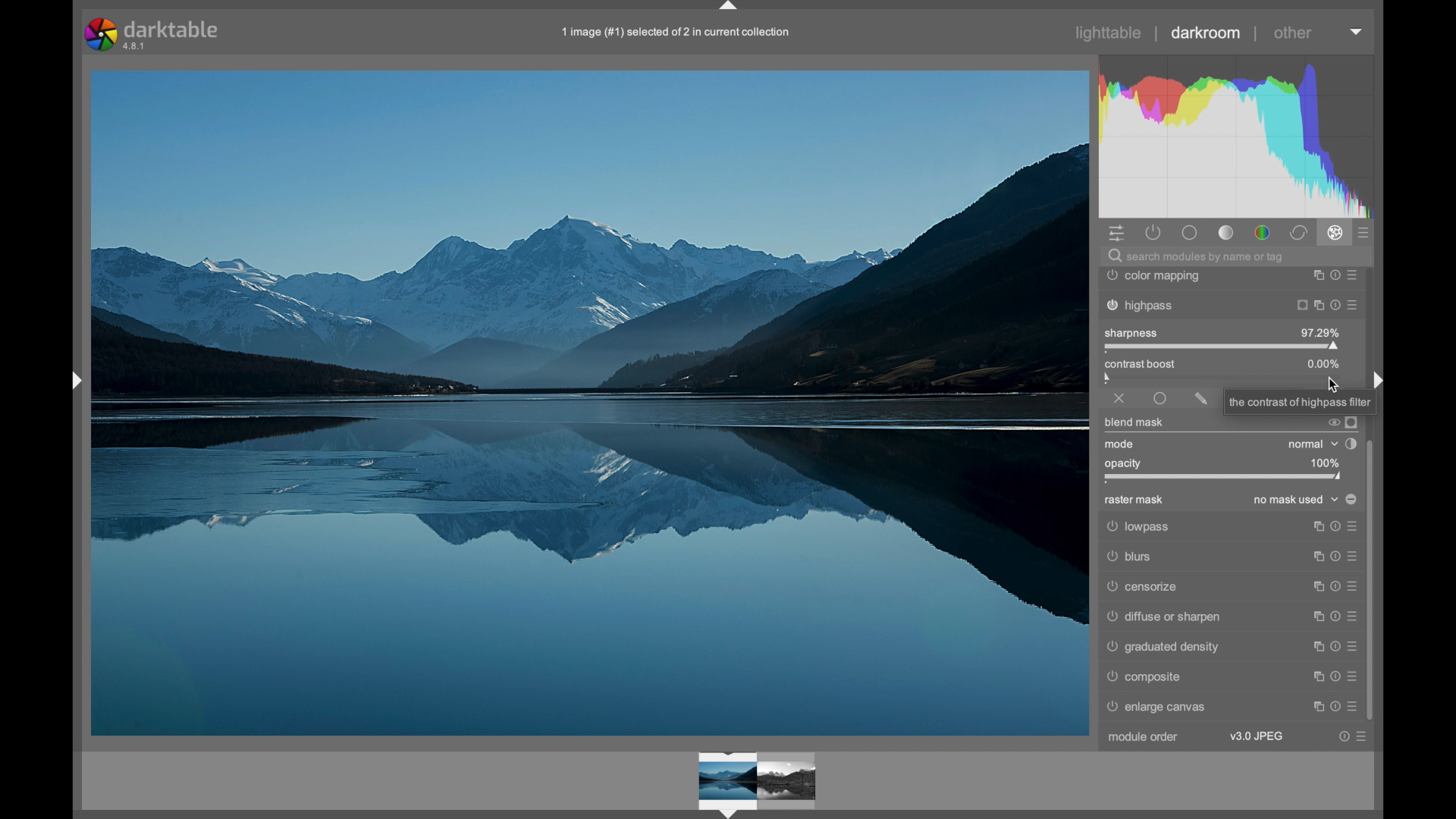  Describe the element at coordinates (1242, 133) in the screenshot. I see `histogram` at that location.